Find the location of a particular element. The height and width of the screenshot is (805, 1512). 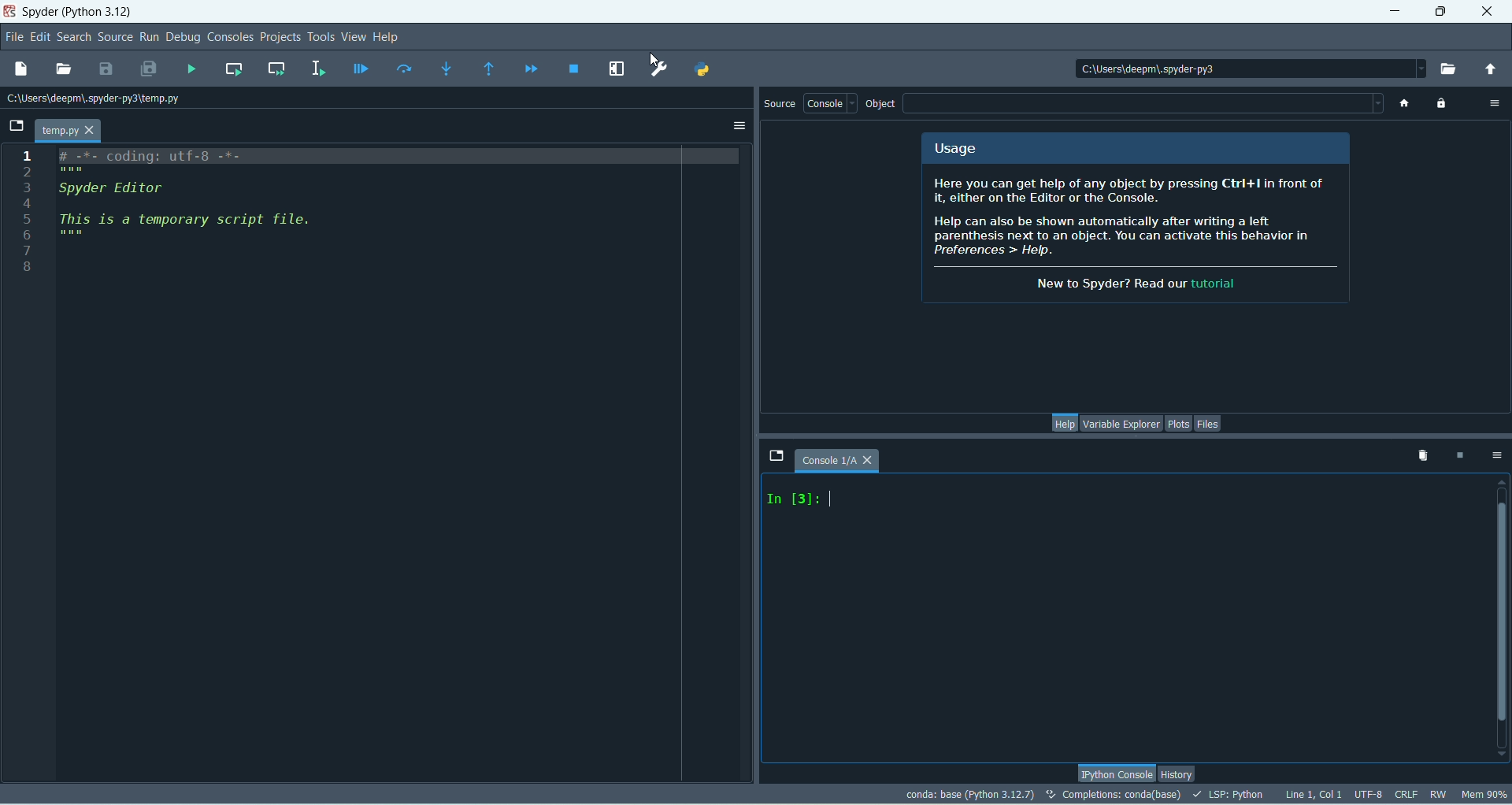

run current cell and go to next one is located at coordinates (277, 69).